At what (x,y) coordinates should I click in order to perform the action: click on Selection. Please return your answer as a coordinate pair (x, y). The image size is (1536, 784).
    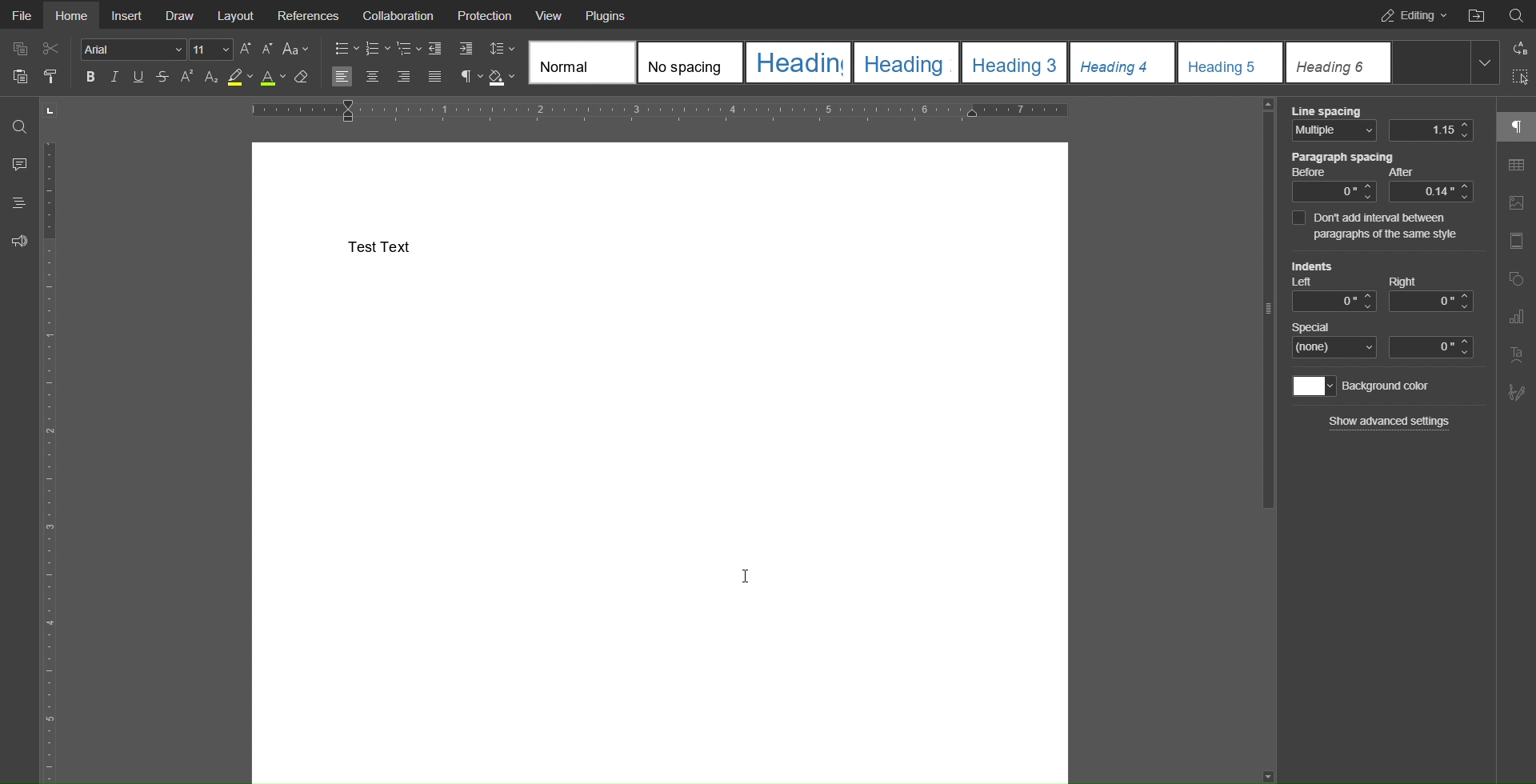
    Looking at the image, I should click on (1517, 78).